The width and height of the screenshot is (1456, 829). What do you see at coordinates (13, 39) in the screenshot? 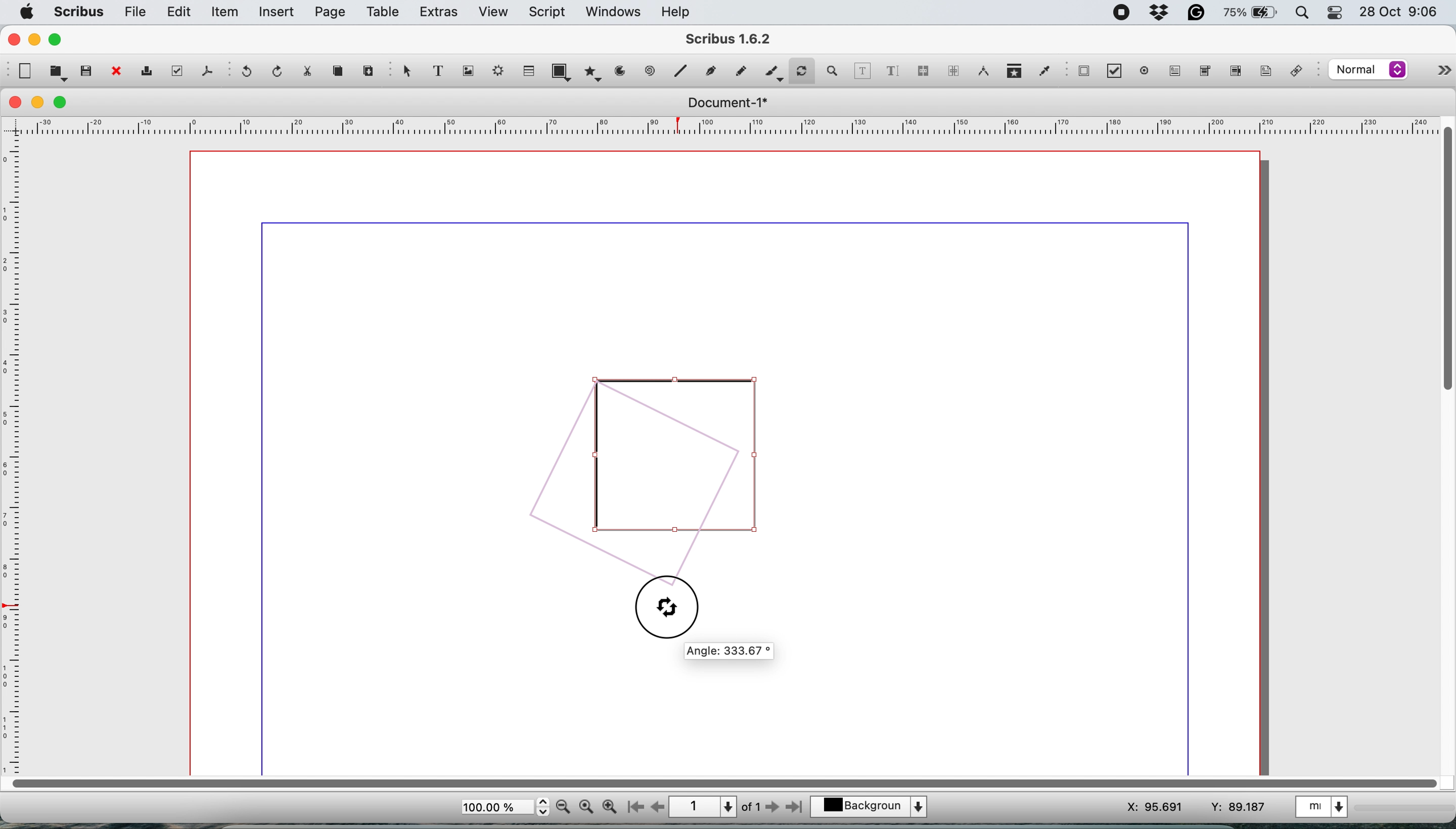
I see `close` at bounding box center [13, 39].